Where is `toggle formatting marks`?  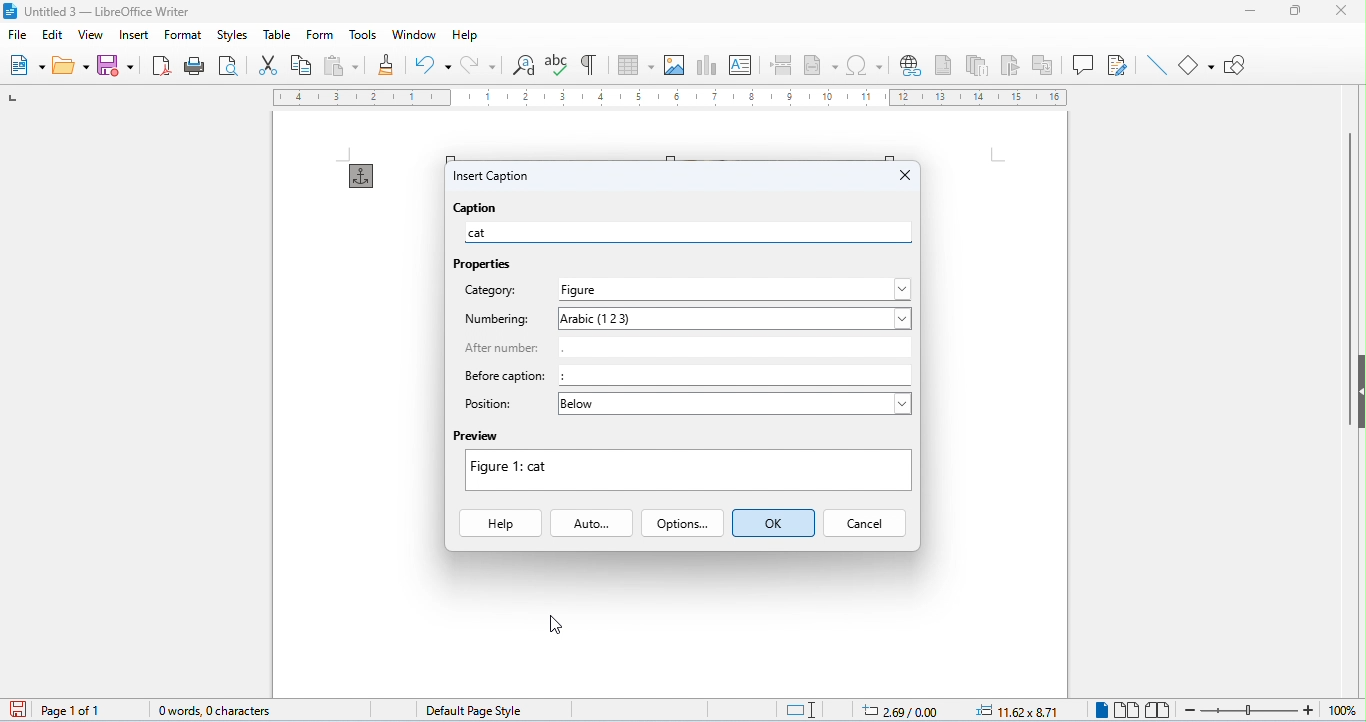 toggle formatting marks is located at coordinates (590, 64).